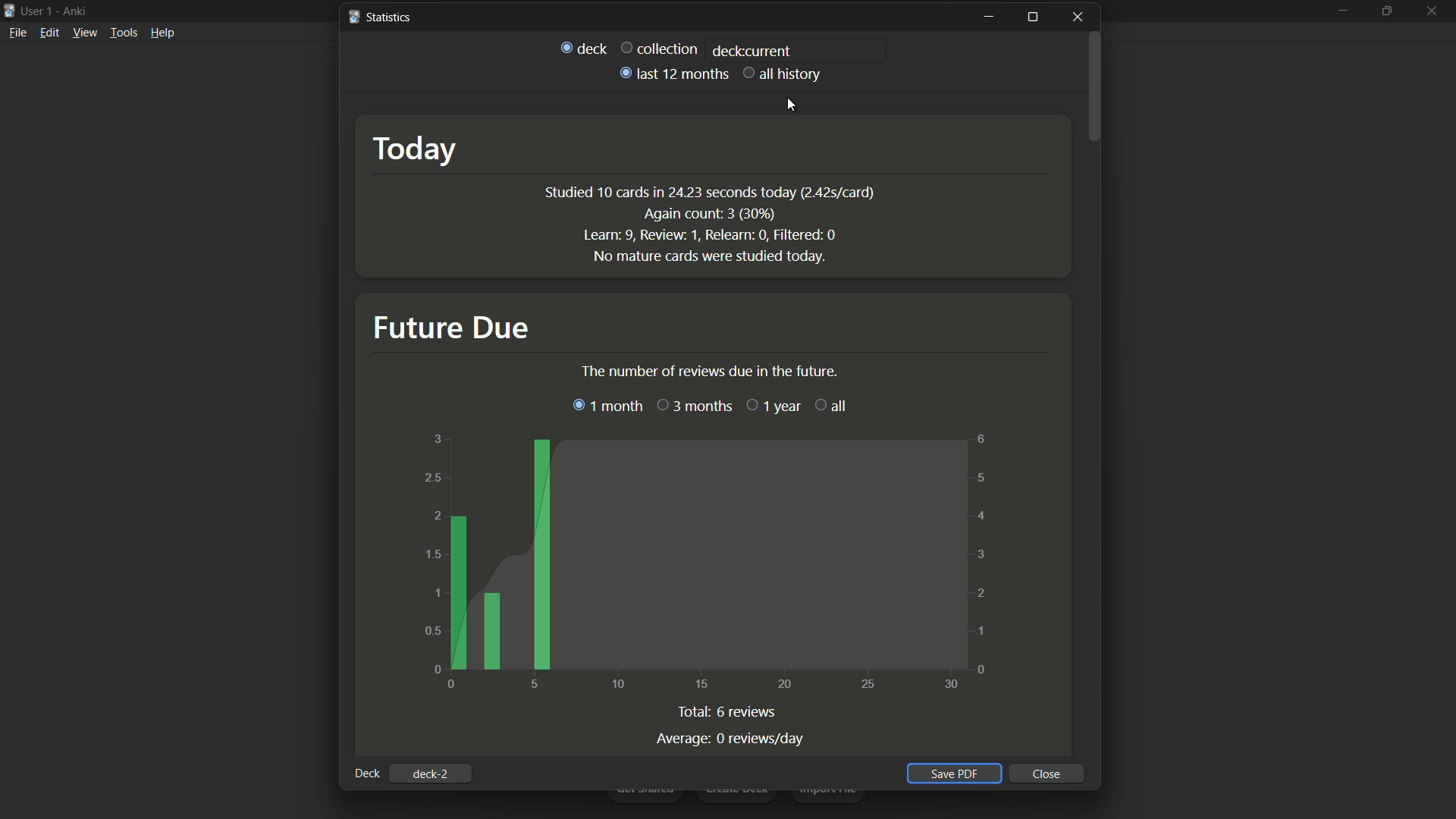 The height and width of the screenshot is (819, 1456). Describe the element at coordinates (695, 406) in the screenshot. I see `3 months` at that location.